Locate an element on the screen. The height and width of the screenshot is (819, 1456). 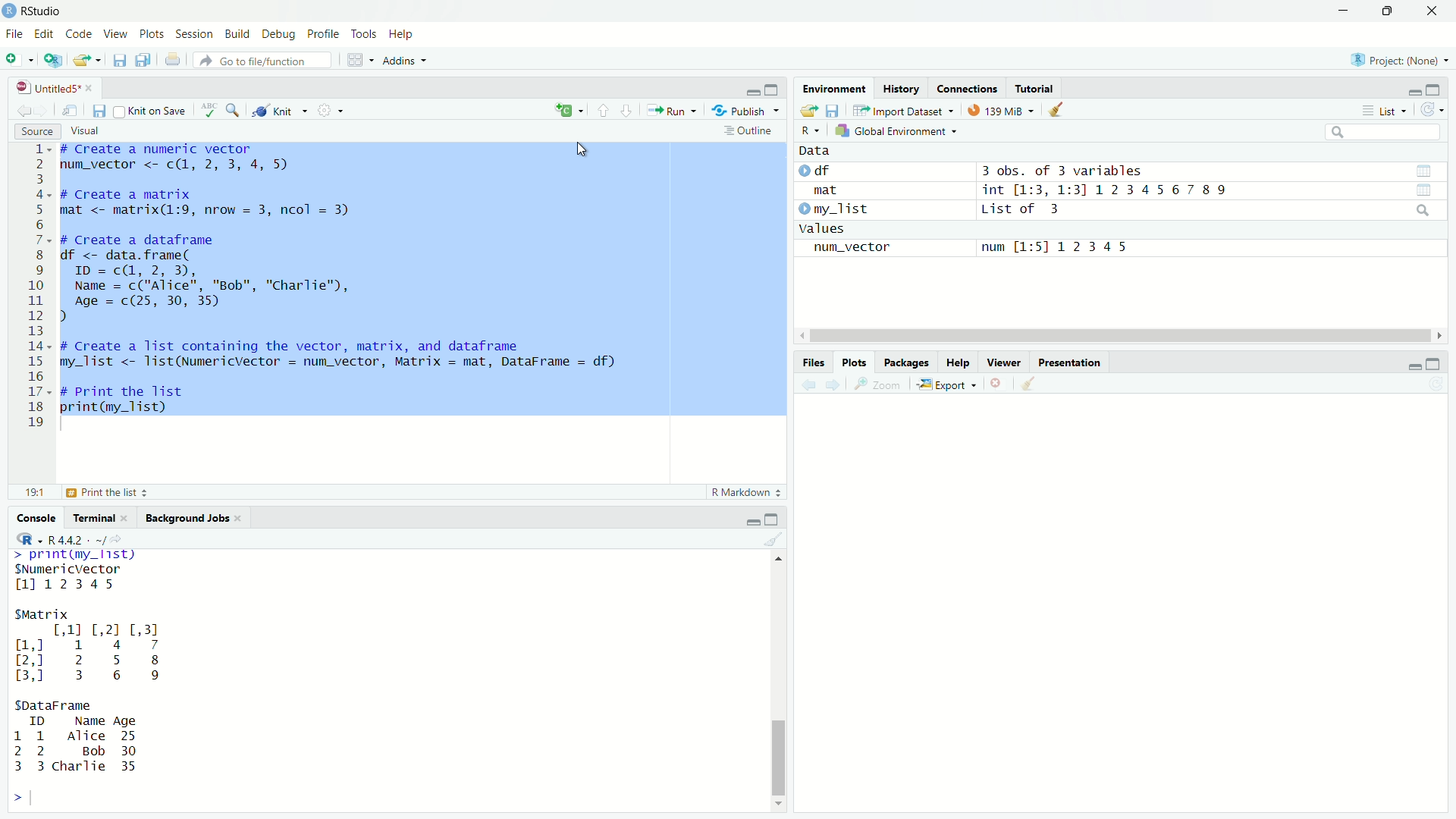
maximise is located at coordinates (1439, 361).